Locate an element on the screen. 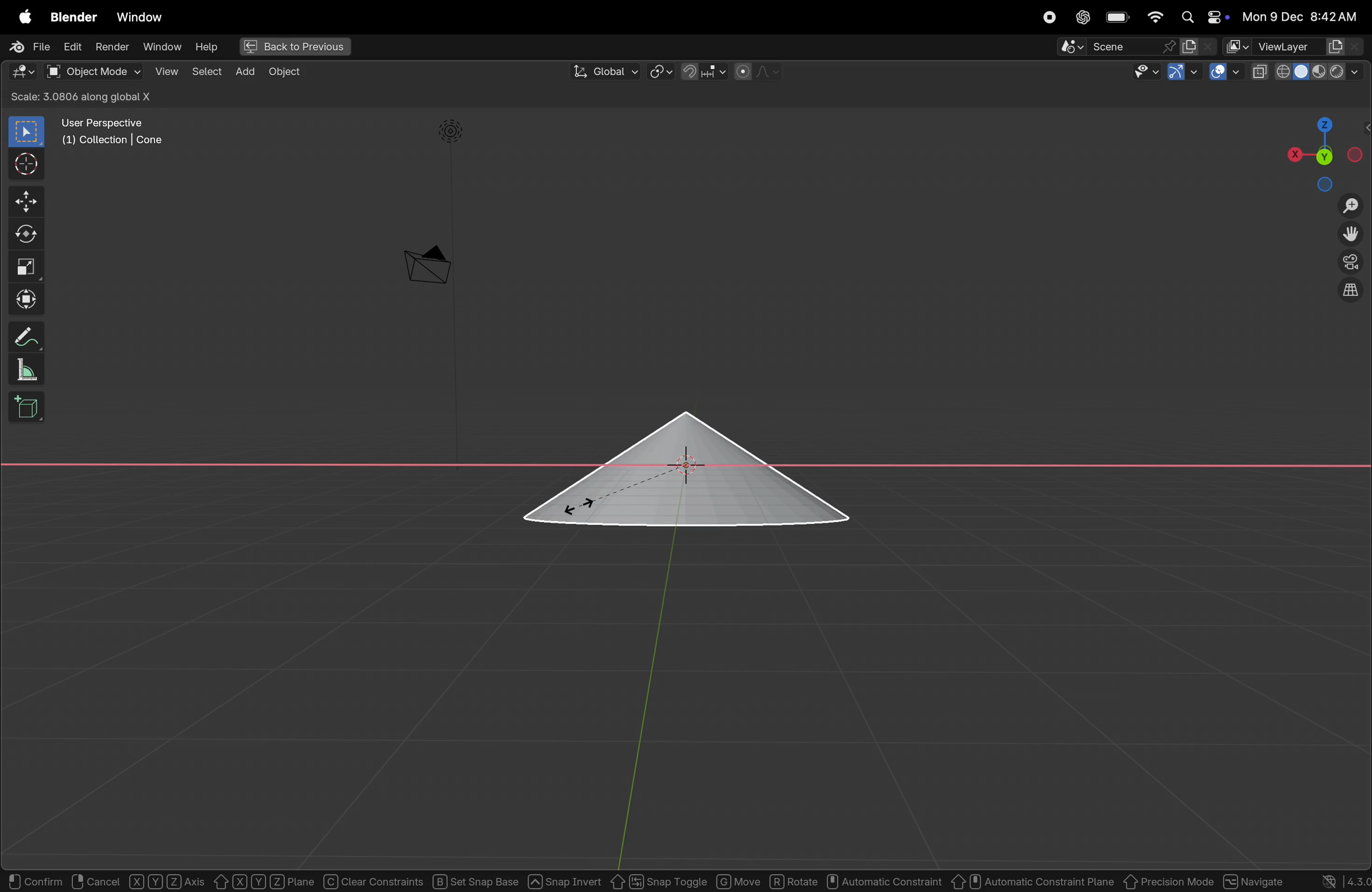 The width and height of the screenshot is (1372, 892). Pin scene is located at coordinates (1115, 47).